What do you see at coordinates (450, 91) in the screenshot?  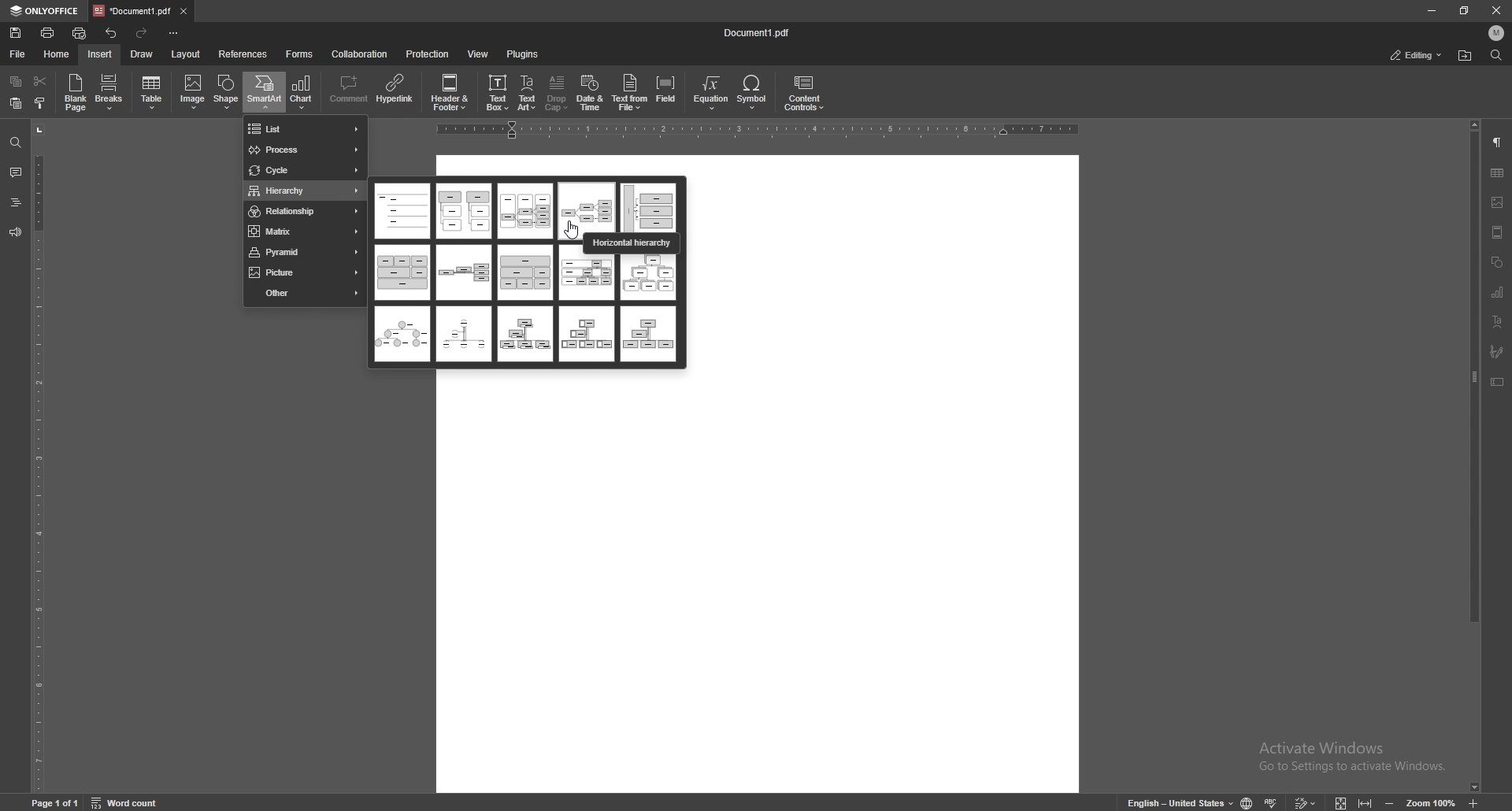 I see `header and footer` at bounding box center [450, 91].